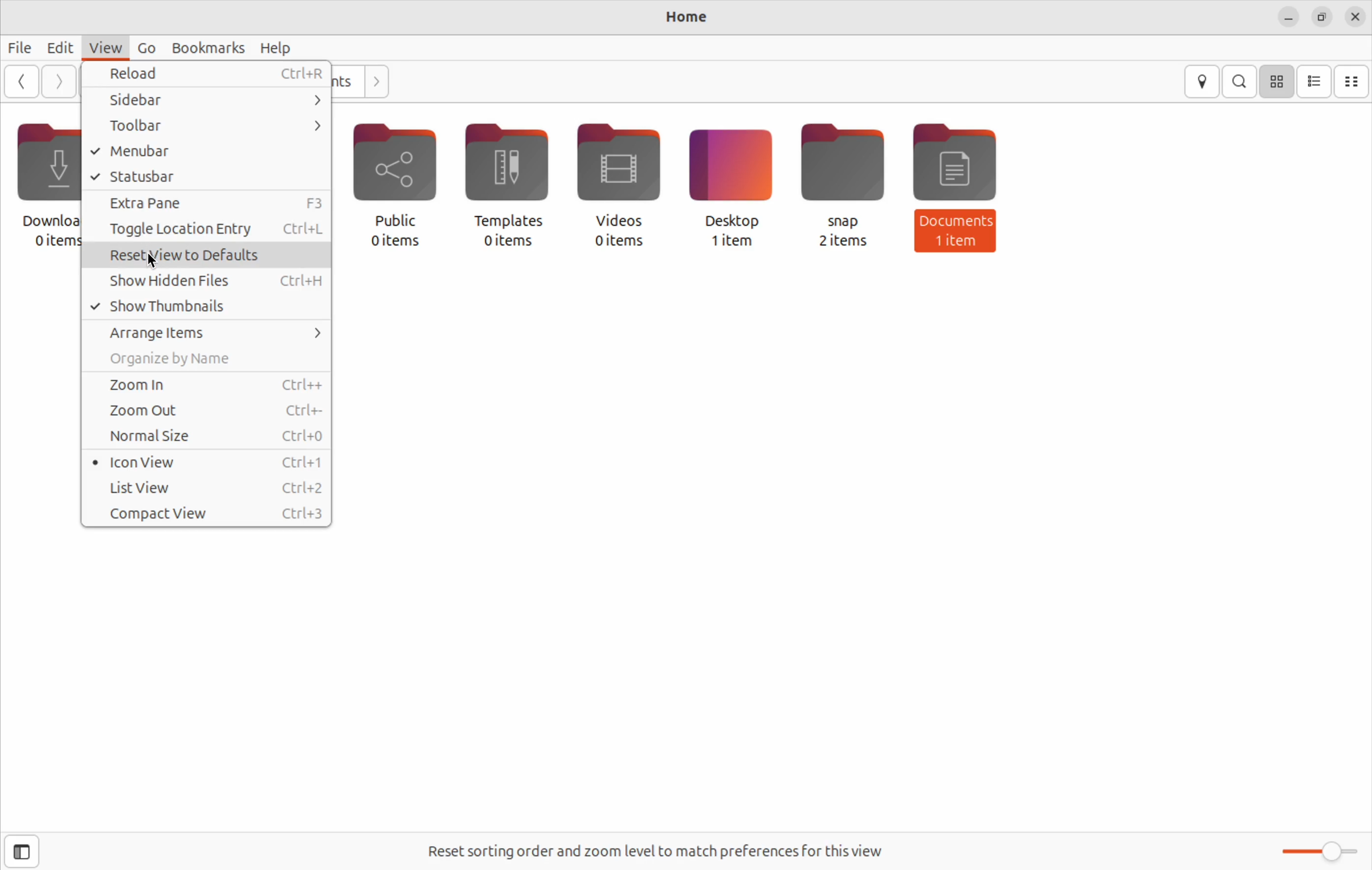 The width and height of the screenshot is (1372, 870). I want to click on Show Hidden Files, so click(212, 279).